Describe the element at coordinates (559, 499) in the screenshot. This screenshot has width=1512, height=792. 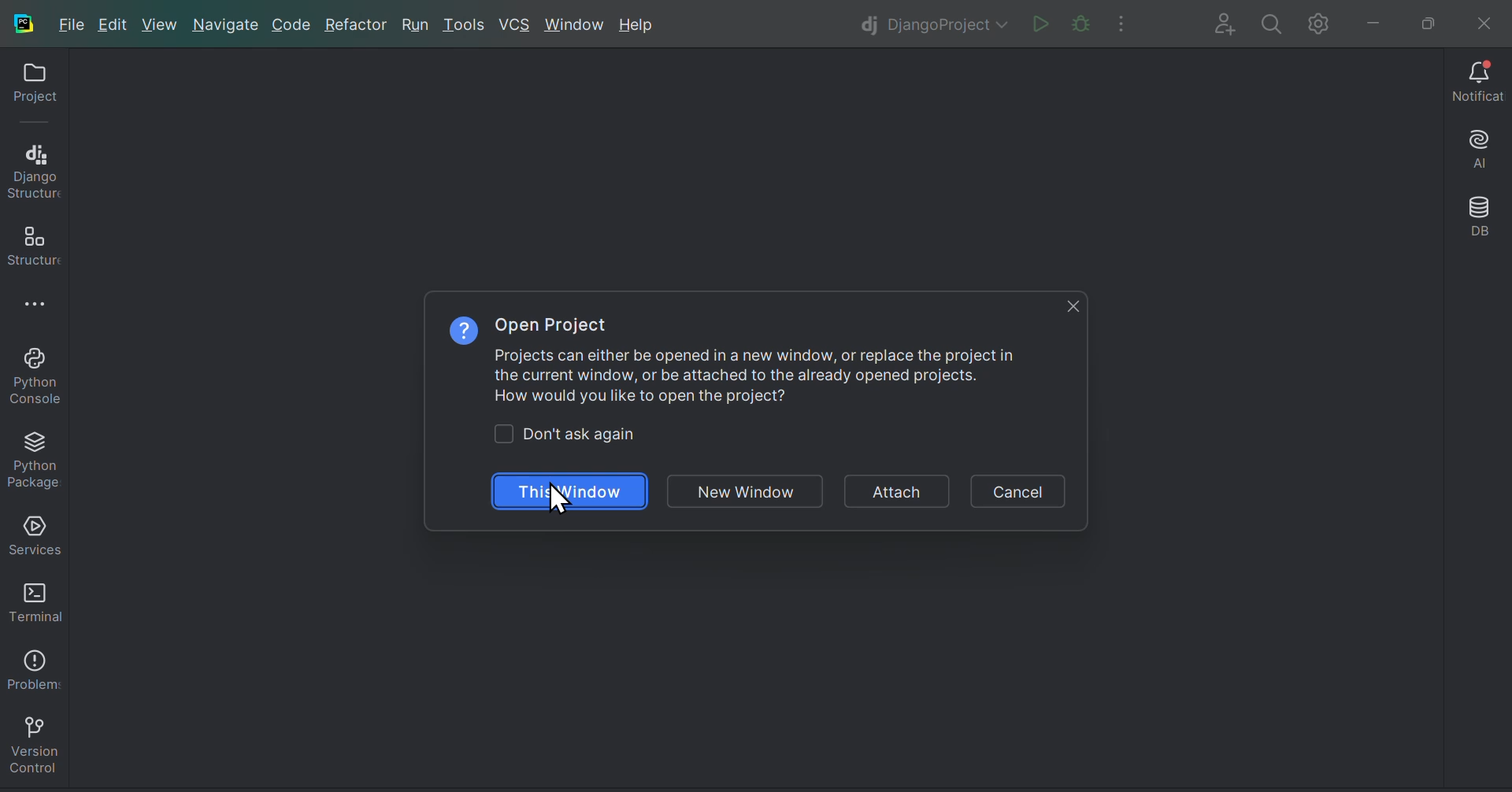
I see `cursor` at that location.